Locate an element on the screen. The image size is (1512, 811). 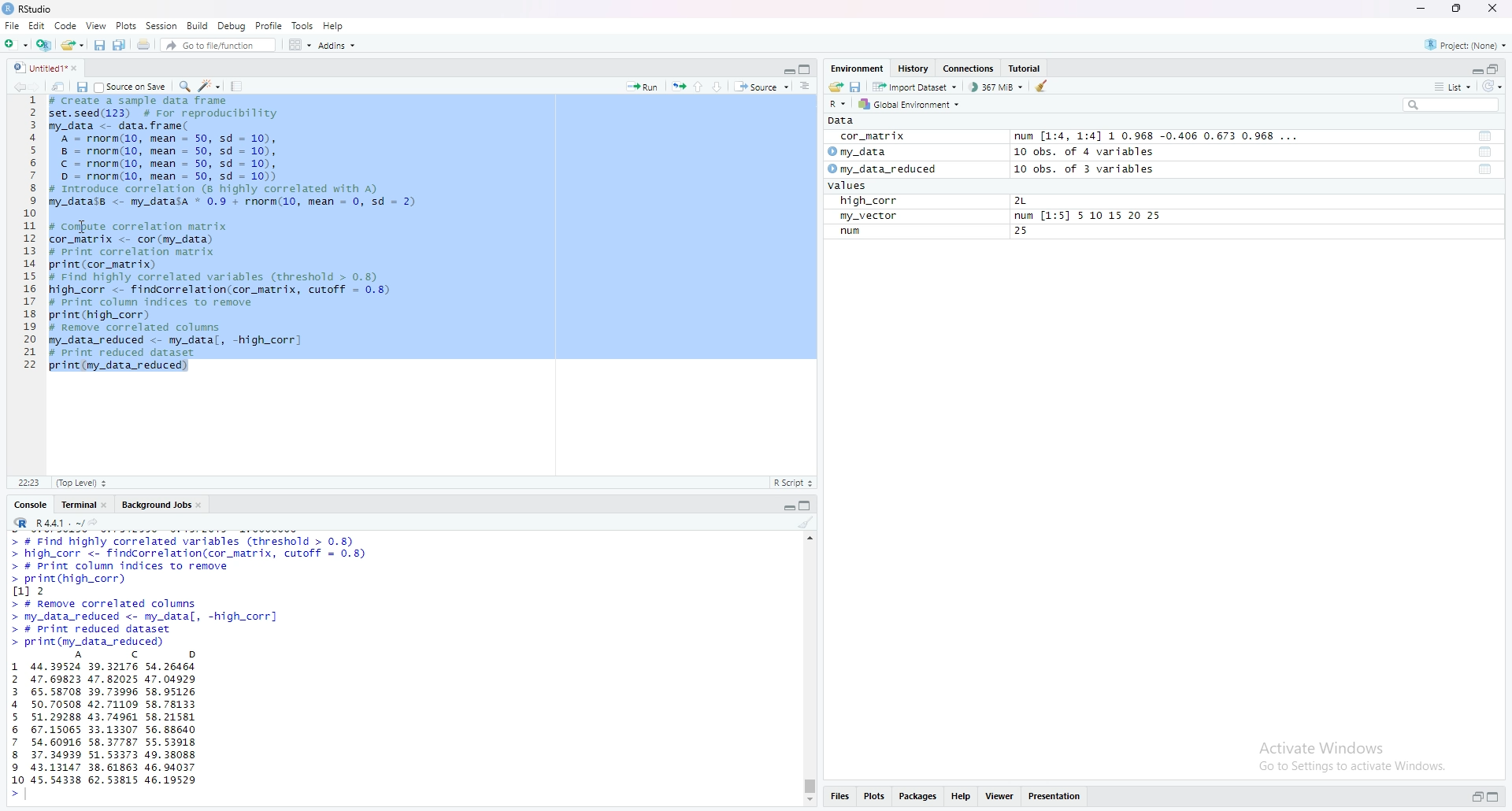
Run is located at coordinates (644, 87).